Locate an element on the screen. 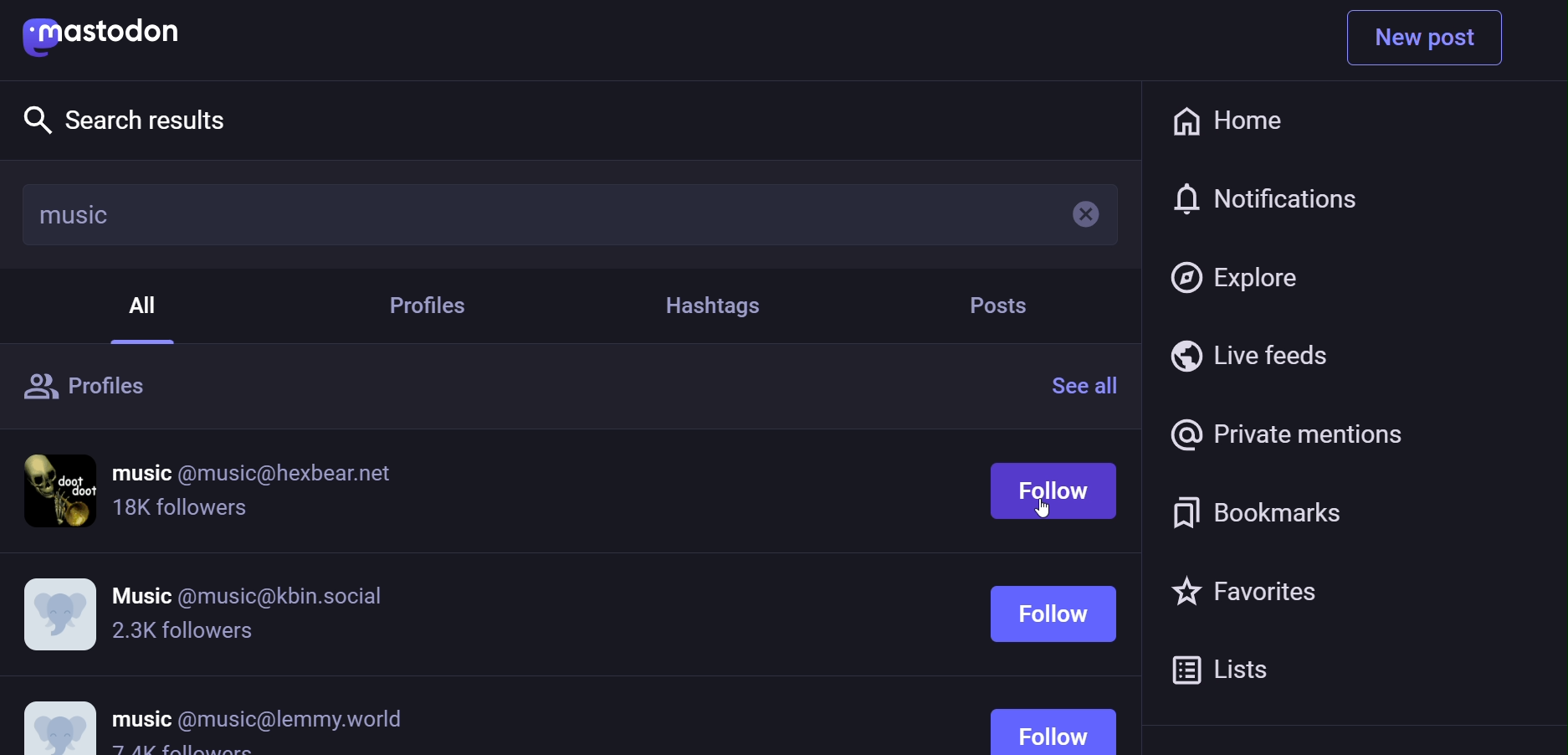  home is located at coordinates (1226, 122).